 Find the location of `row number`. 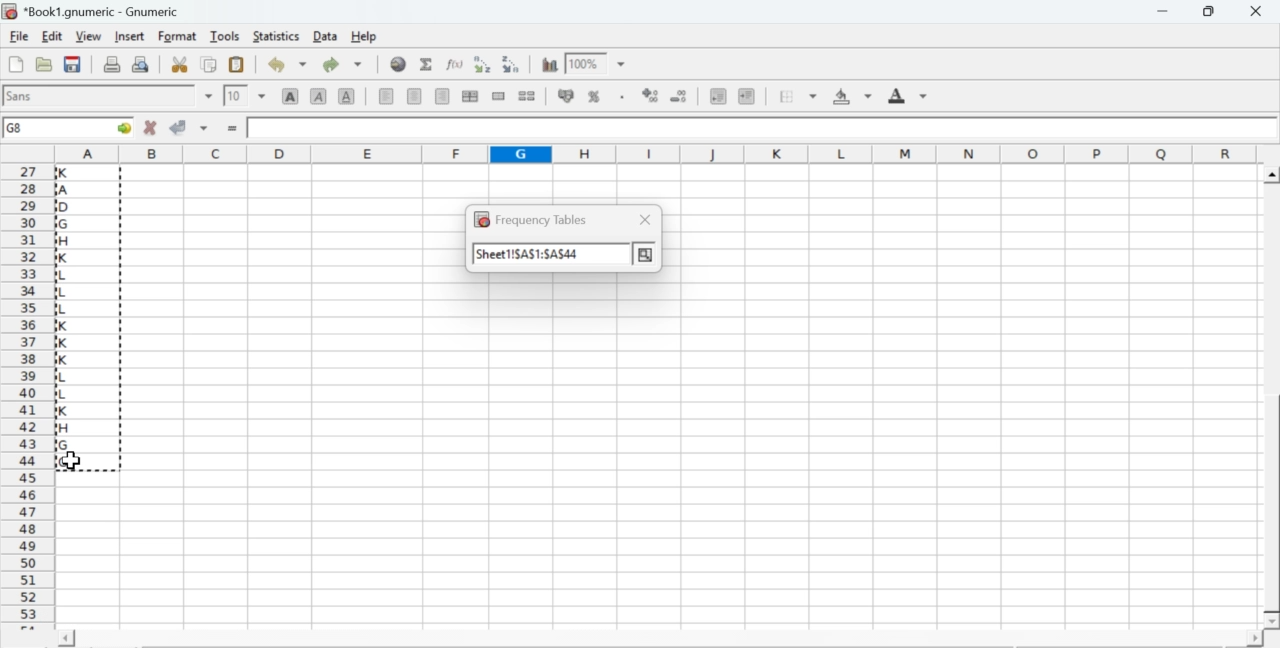

row number is located at coordinates (26, 396).